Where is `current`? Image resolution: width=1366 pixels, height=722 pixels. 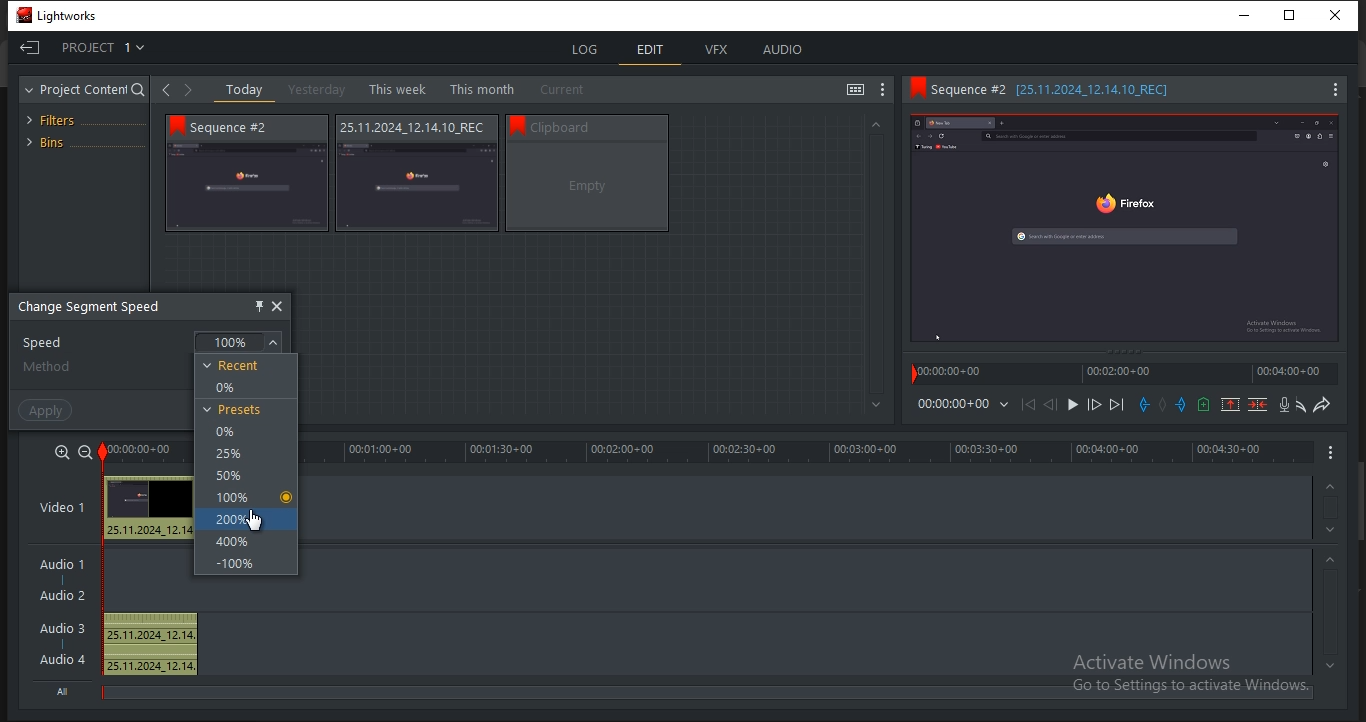 current is located at coordinates (567, 90).